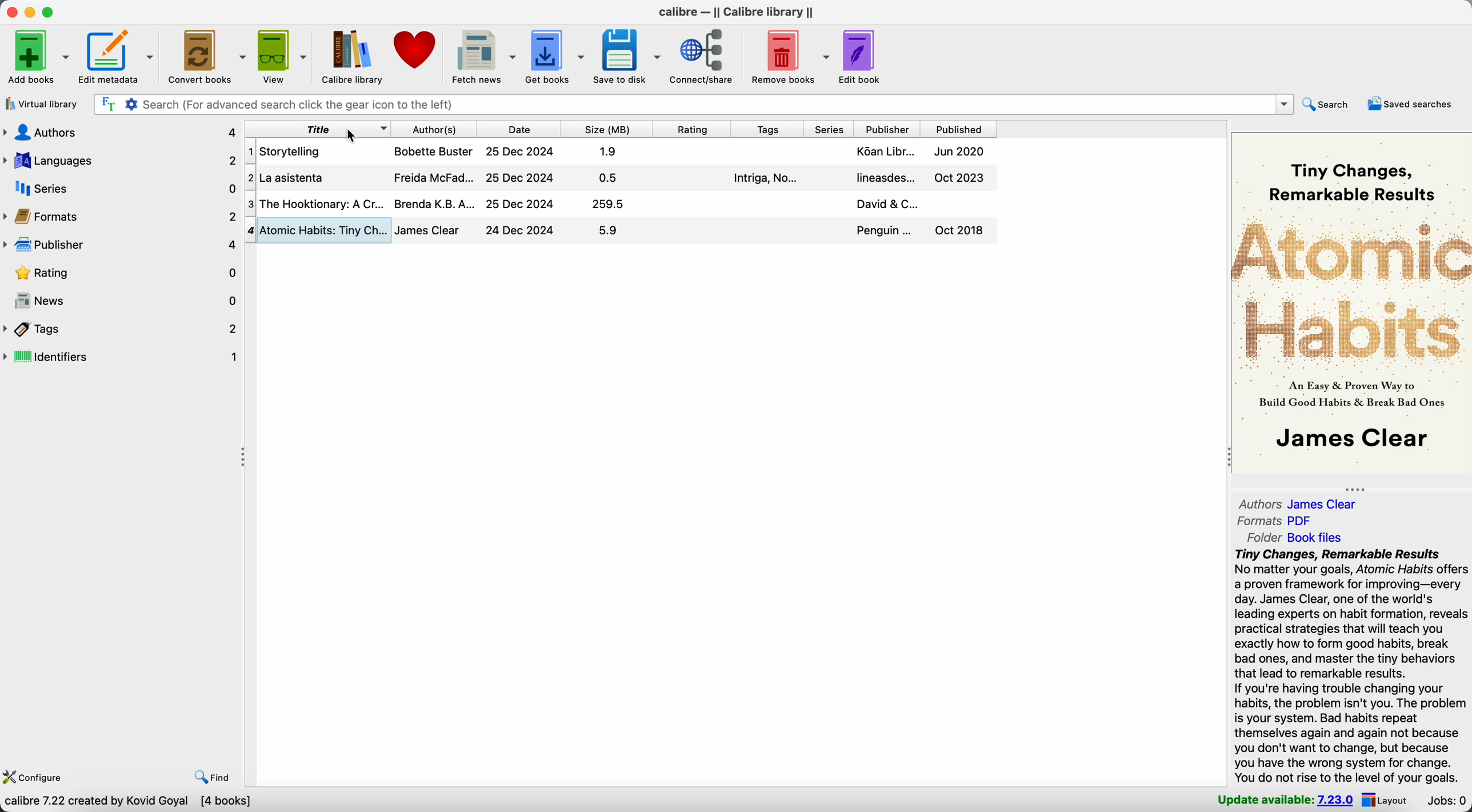 The image size is (1472, 812). What do you see at coordinates (119, 57) in the screenshot?
I see `edit metadata` at bounding box center [119, 57].